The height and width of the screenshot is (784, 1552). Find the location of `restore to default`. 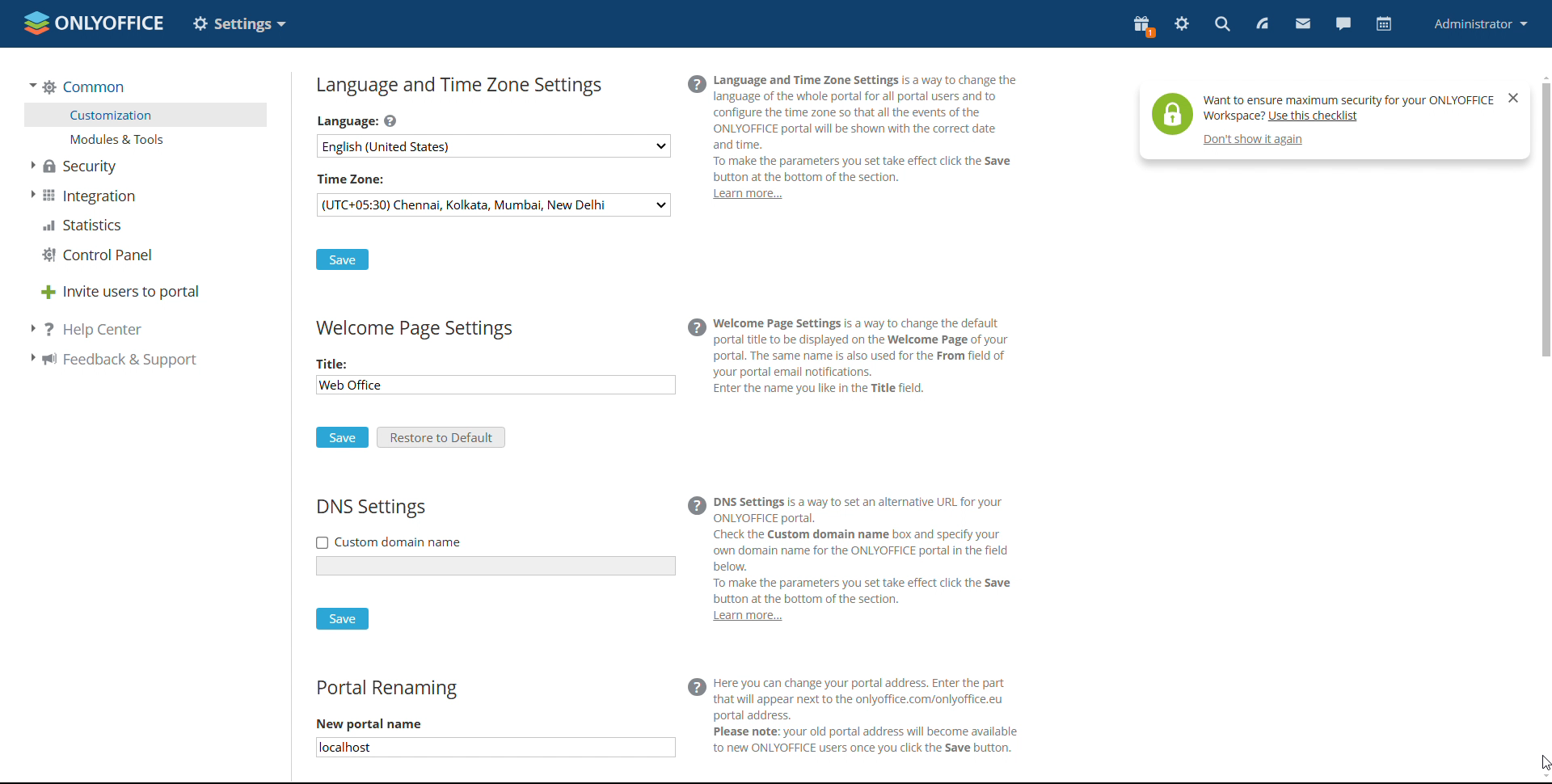

restore to default is located at coordinates (441, 437).